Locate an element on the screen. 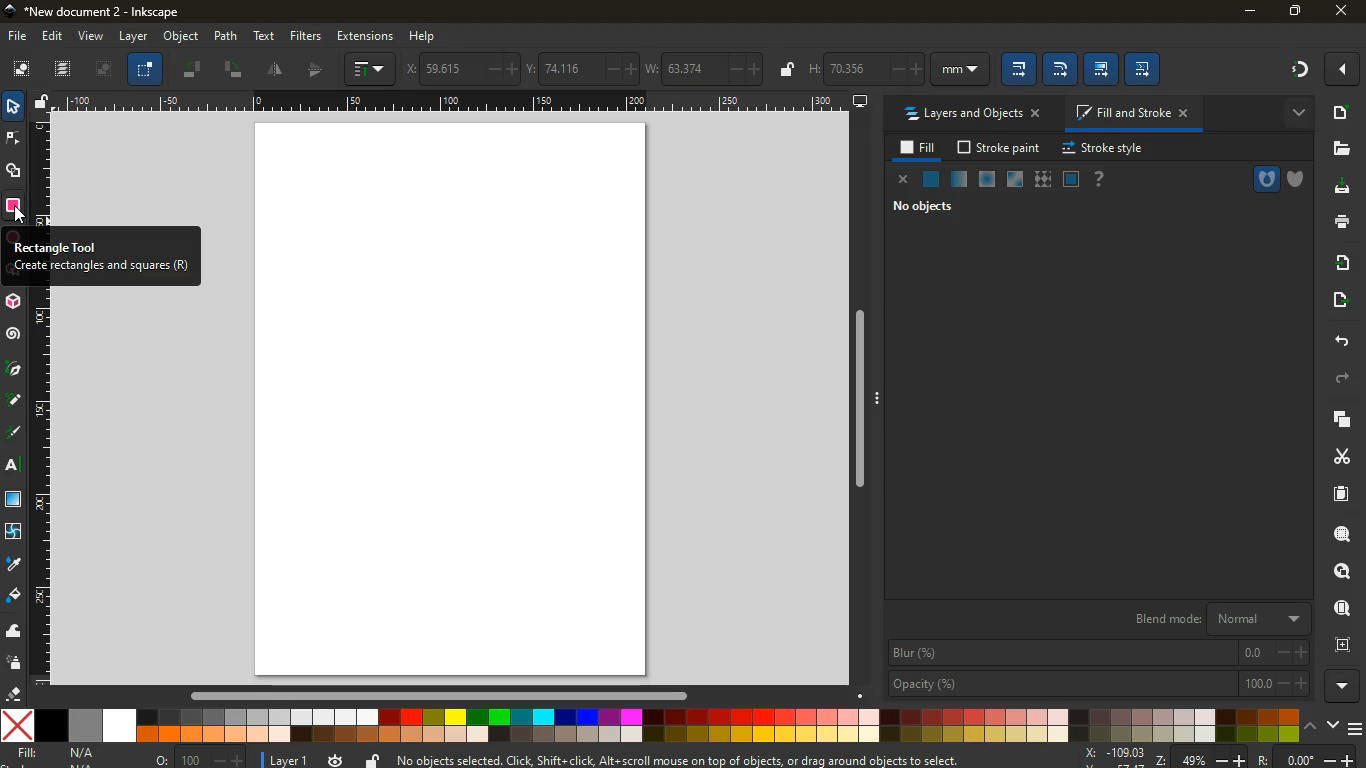  help is located at coordinates (424, 37).